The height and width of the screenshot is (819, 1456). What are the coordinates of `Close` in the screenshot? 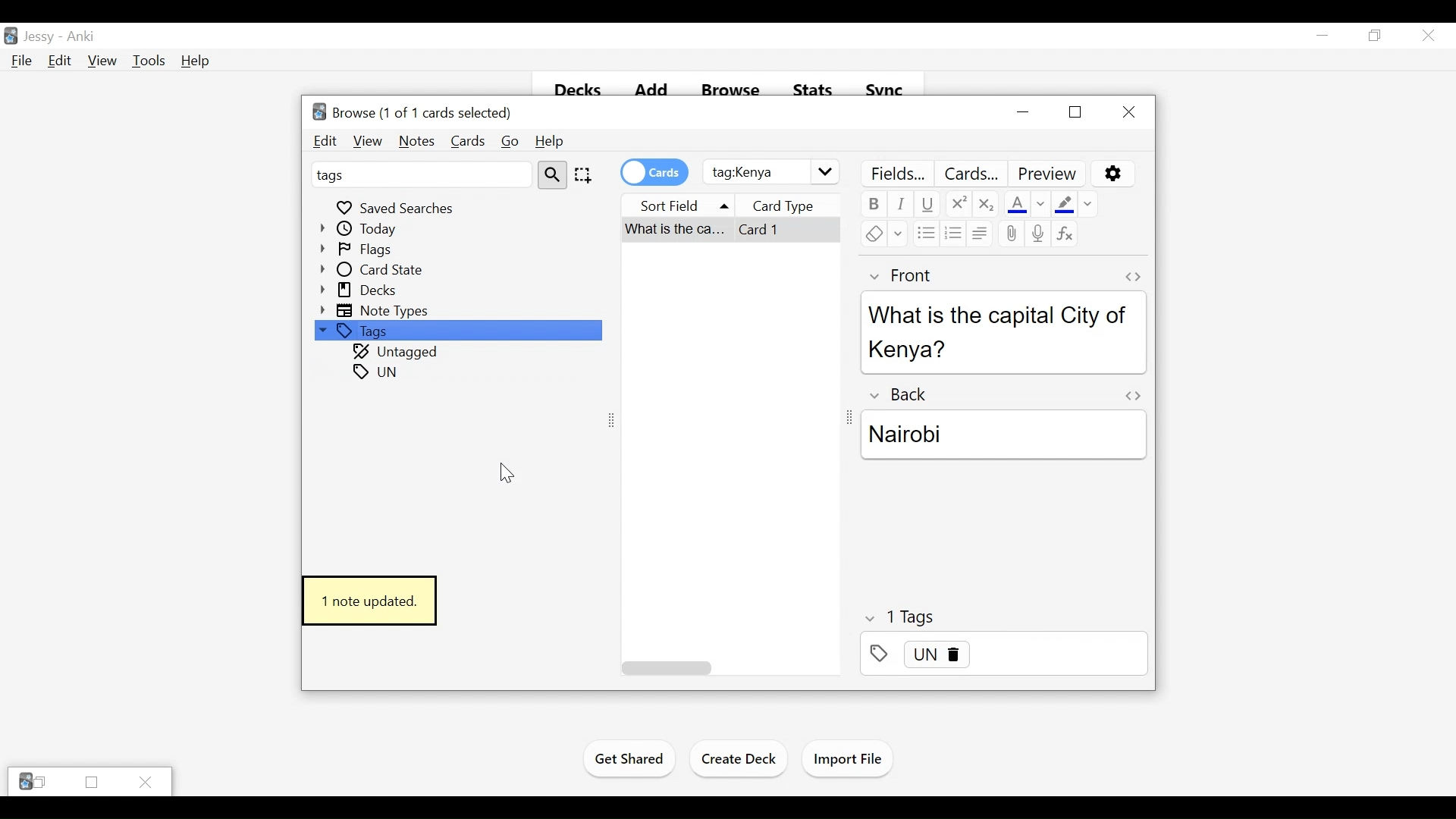 It's located at (146, 781).